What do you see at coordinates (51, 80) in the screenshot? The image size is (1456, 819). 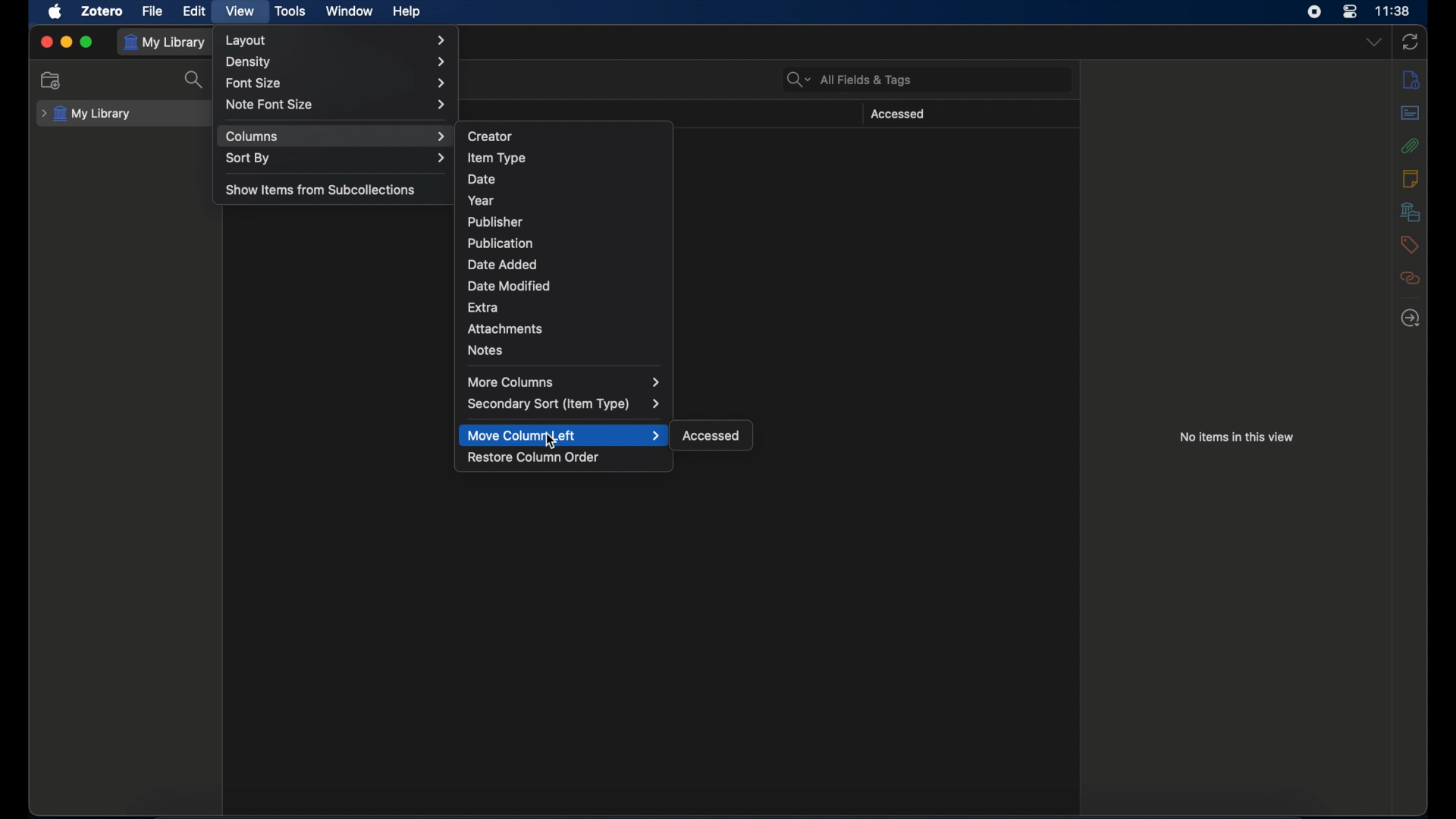 I see `new collection` at bounding box center [51, 80].